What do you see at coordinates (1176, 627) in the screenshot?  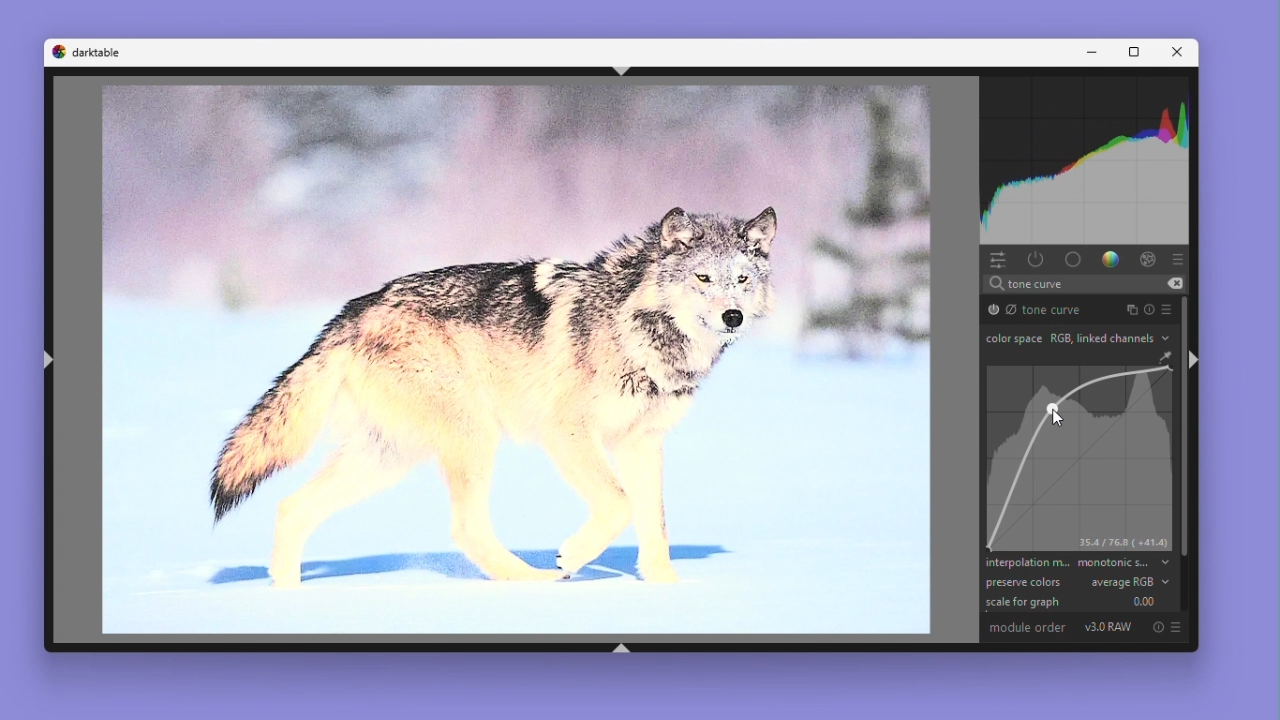 I see `preset` at bounding box center [1176, 627].